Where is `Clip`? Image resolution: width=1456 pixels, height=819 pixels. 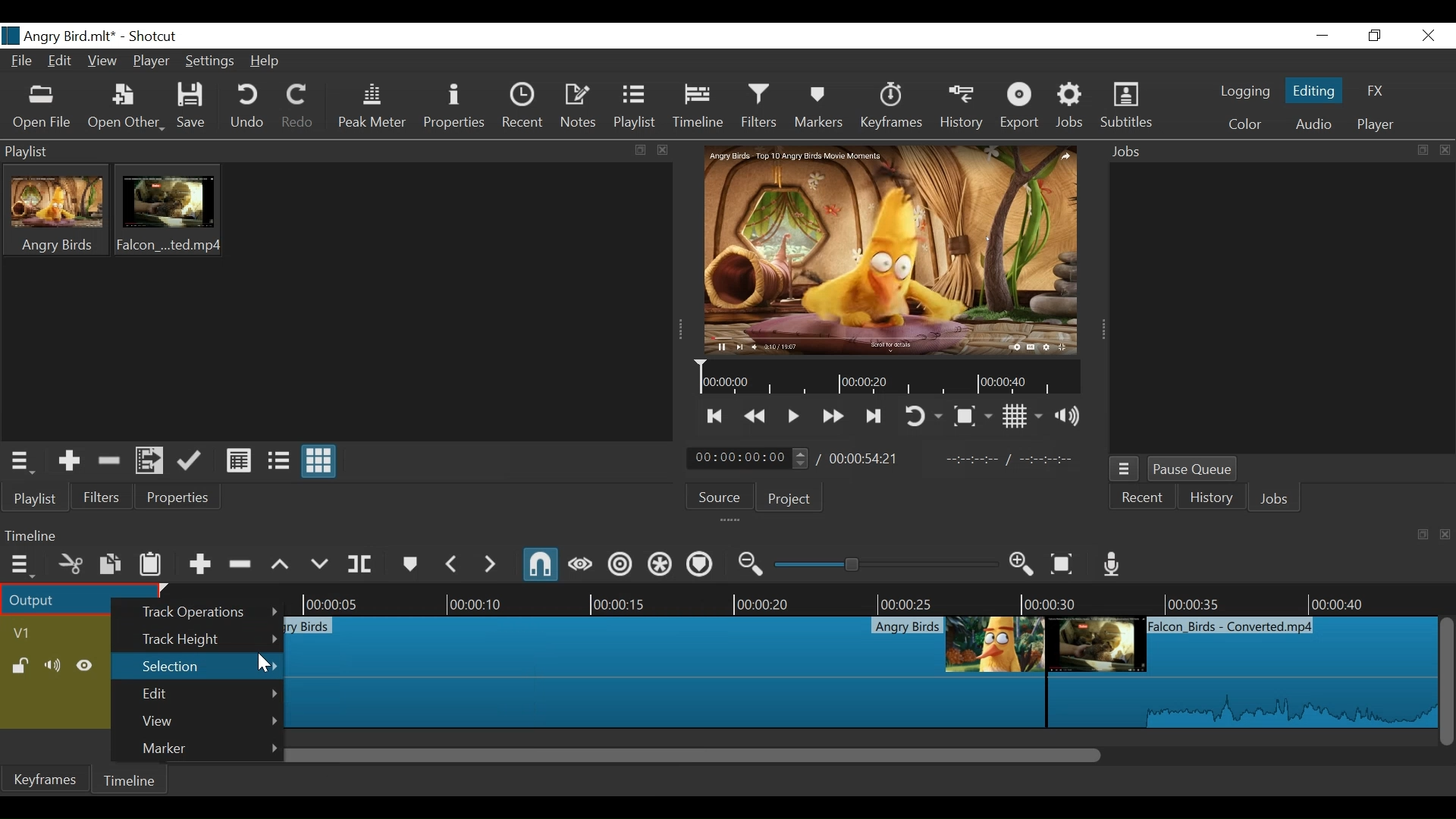
Clip is located at coordinates (1241, 672).